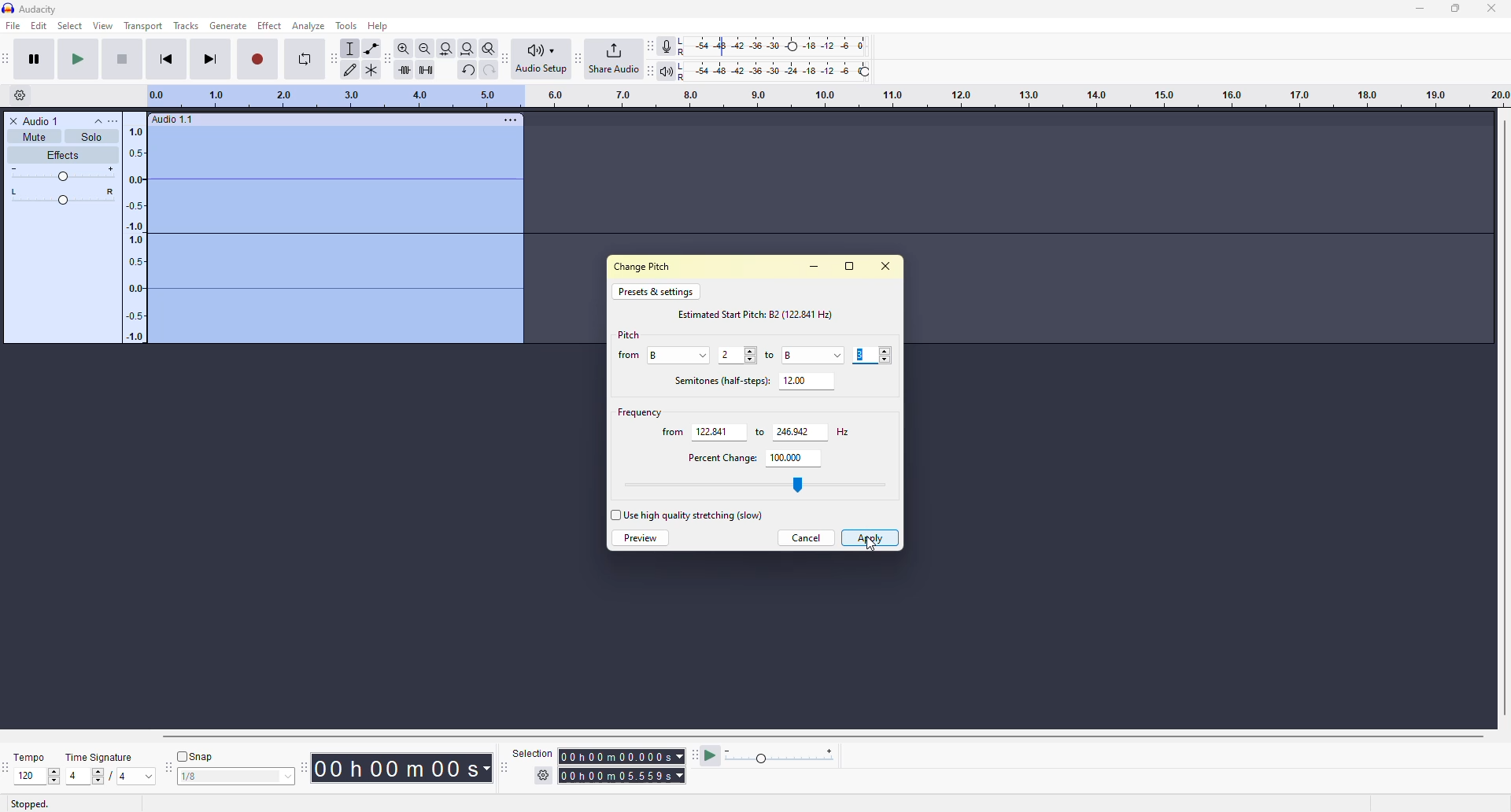 The width and height of the screenshot is (1511, 812). Describe the element at coordinates (883, 265) in the screenshot. I see `close` at that location.